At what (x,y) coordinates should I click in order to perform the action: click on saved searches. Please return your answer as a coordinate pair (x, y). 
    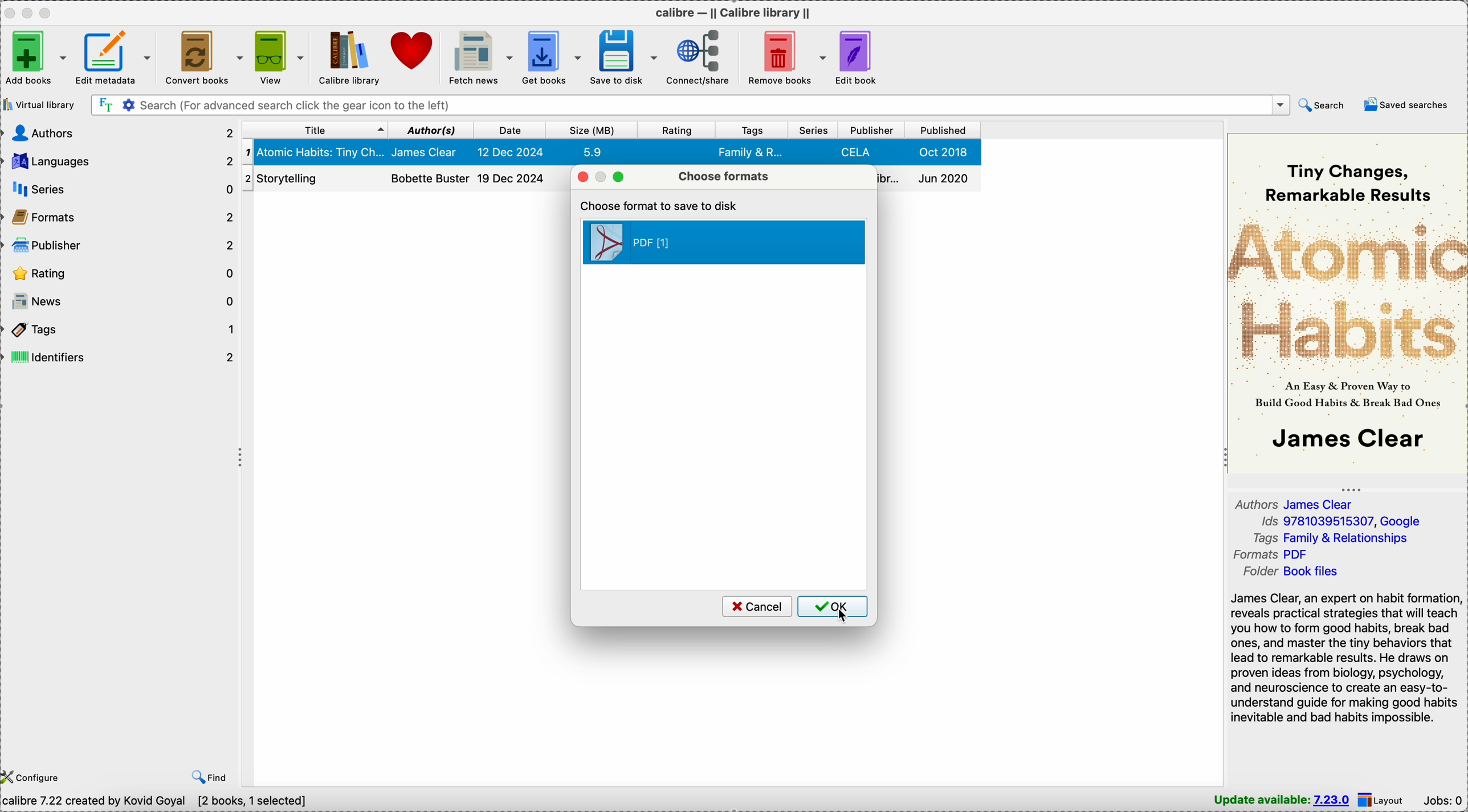
    Looking at the image, I should click on (1406, 104).